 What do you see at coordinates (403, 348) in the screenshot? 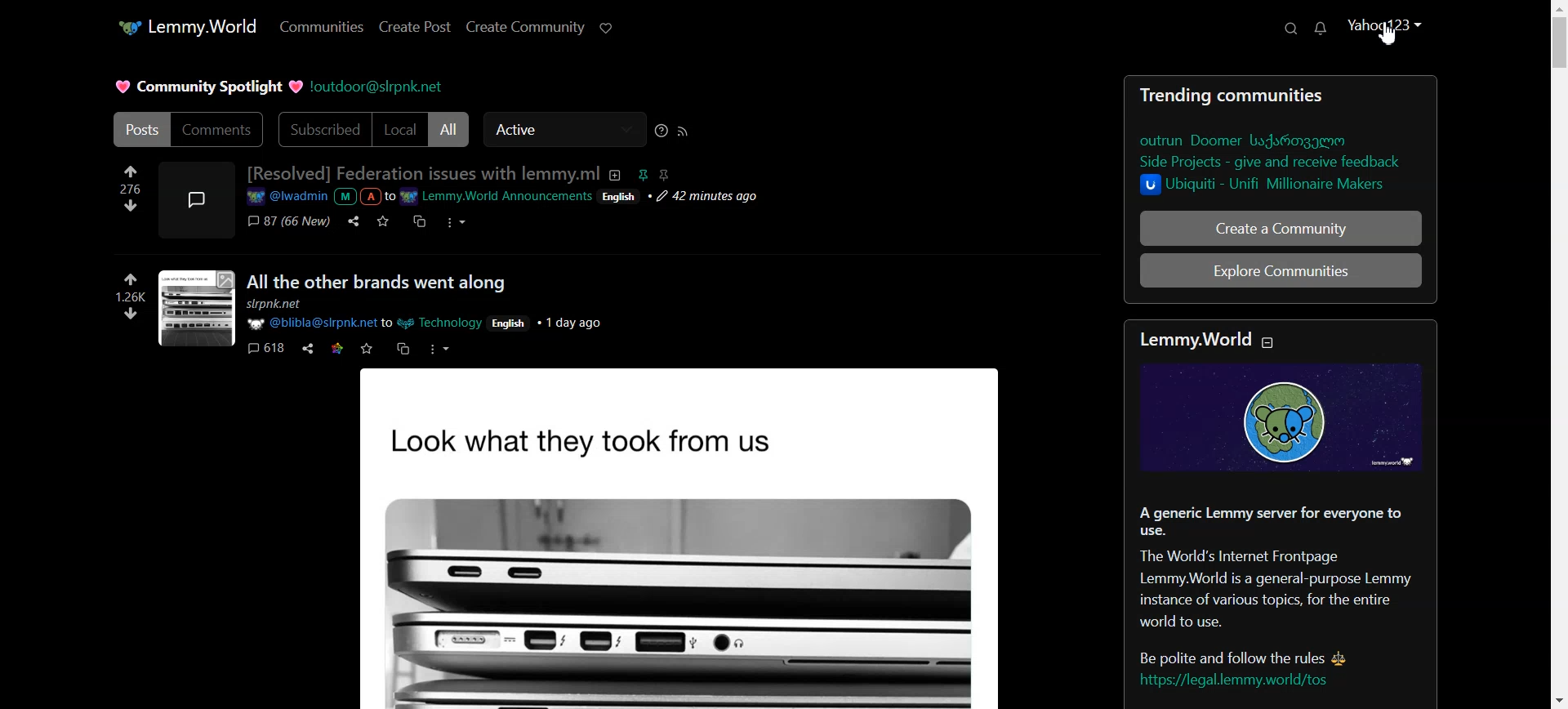
I see `cross post` at bounding box center [403, 348].